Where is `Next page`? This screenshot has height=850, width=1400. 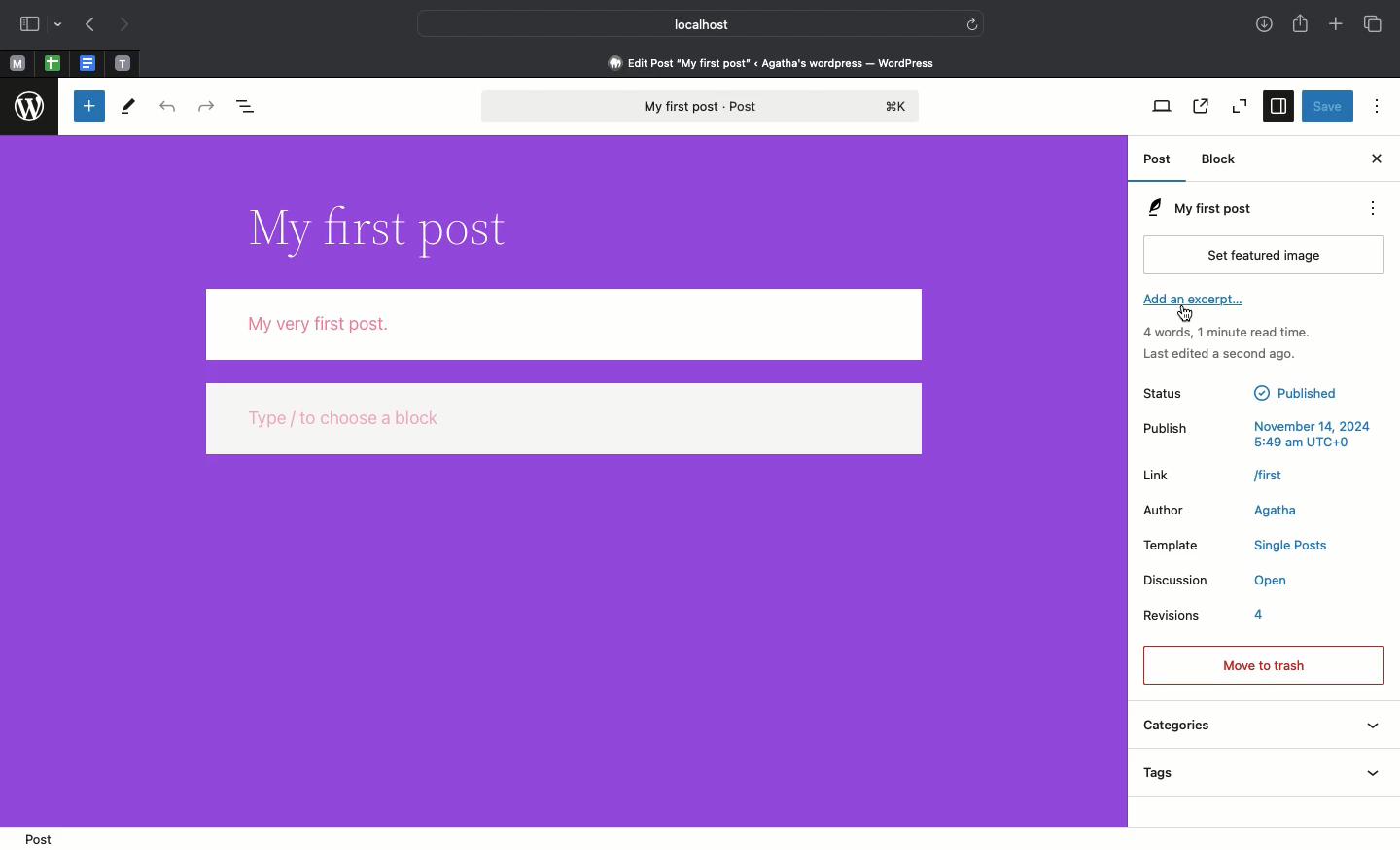
Next page is located at coordinates (129, 23).